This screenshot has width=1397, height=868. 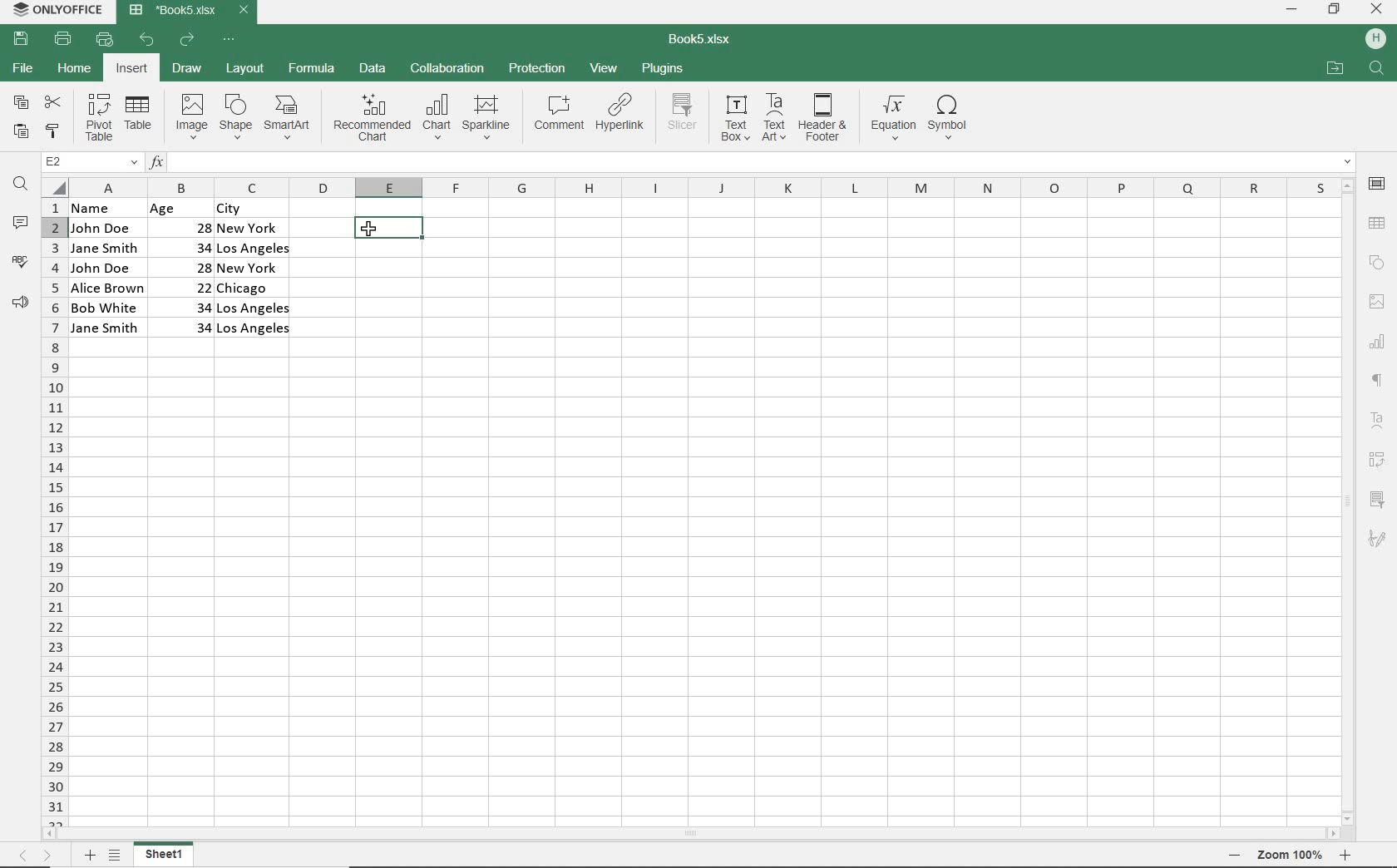 I want to click on LIST OF SHETS, so click(x=115, y=856).